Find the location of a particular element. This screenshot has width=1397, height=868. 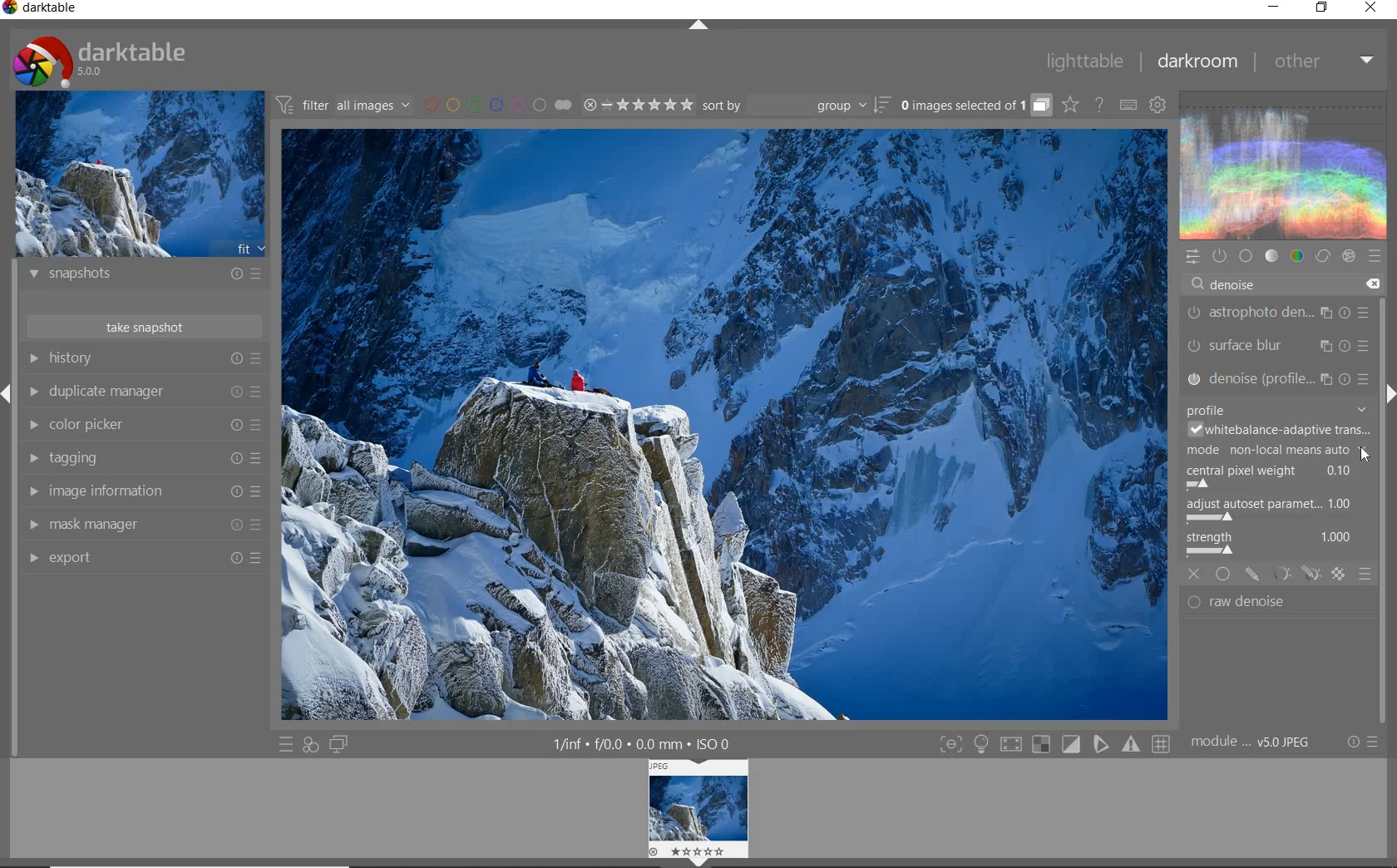

selected image is located at coordinates (722, 427).